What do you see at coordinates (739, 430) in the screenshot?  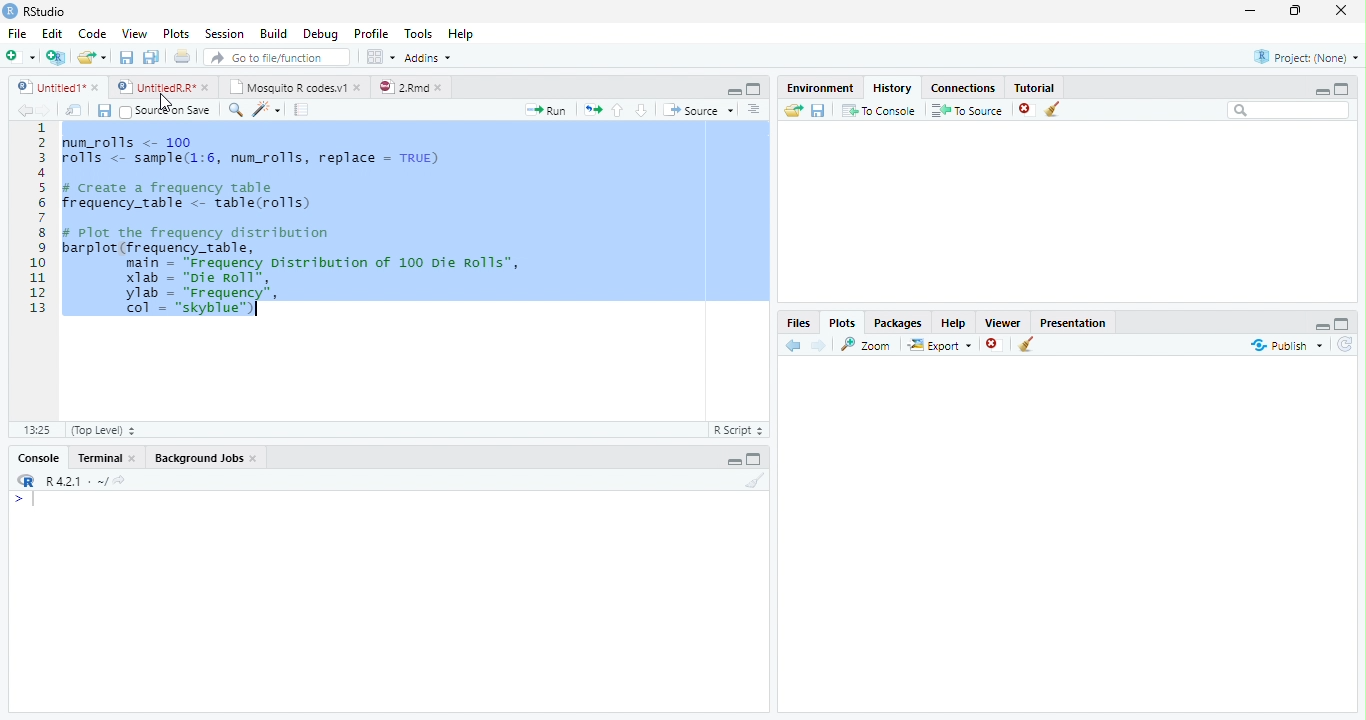 I see `R Script` at bounding box center [739, 430].